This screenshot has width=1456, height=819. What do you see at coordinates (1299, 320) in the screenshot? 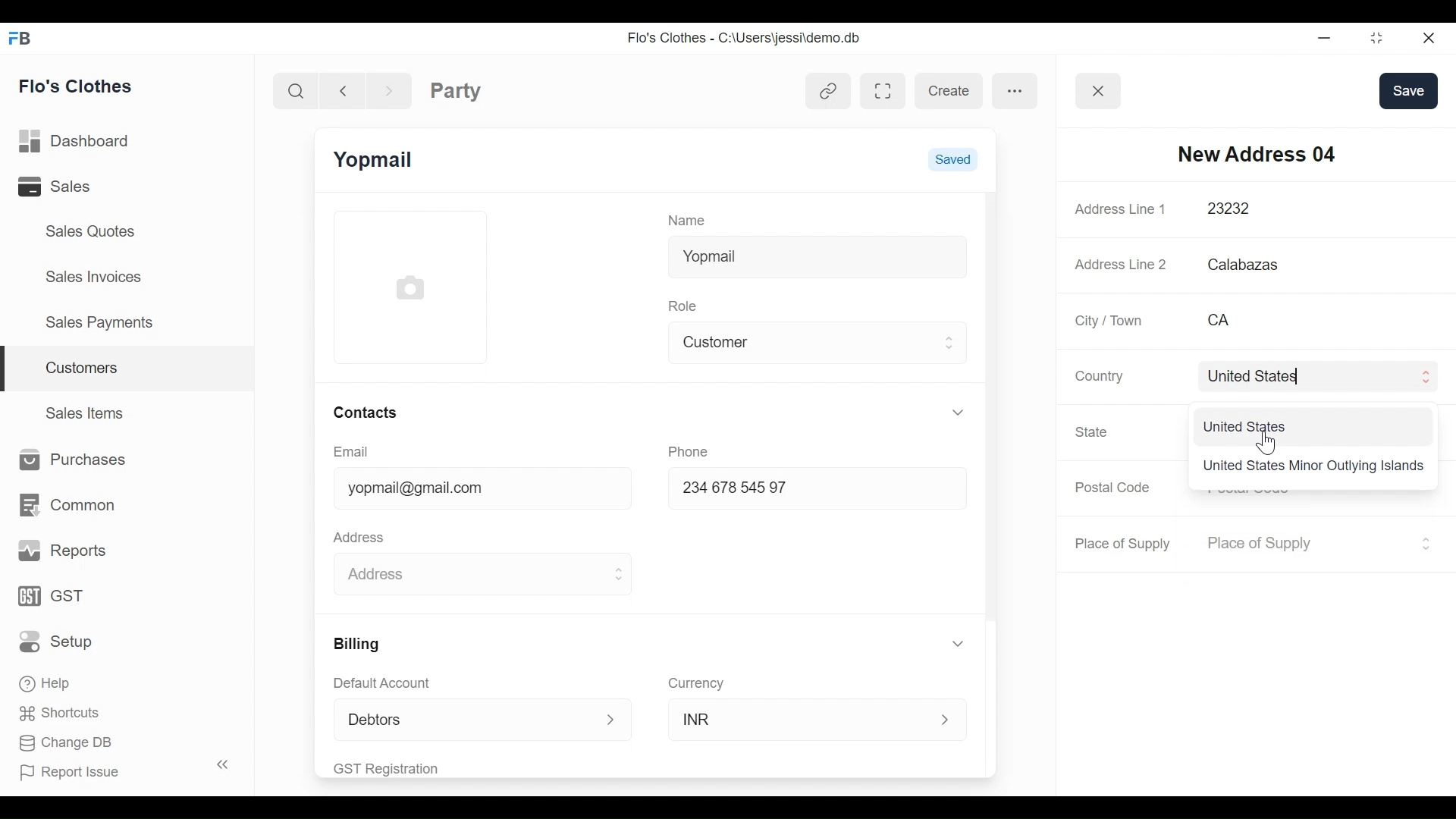
I see `CA` at bounding box center [1299, 320].